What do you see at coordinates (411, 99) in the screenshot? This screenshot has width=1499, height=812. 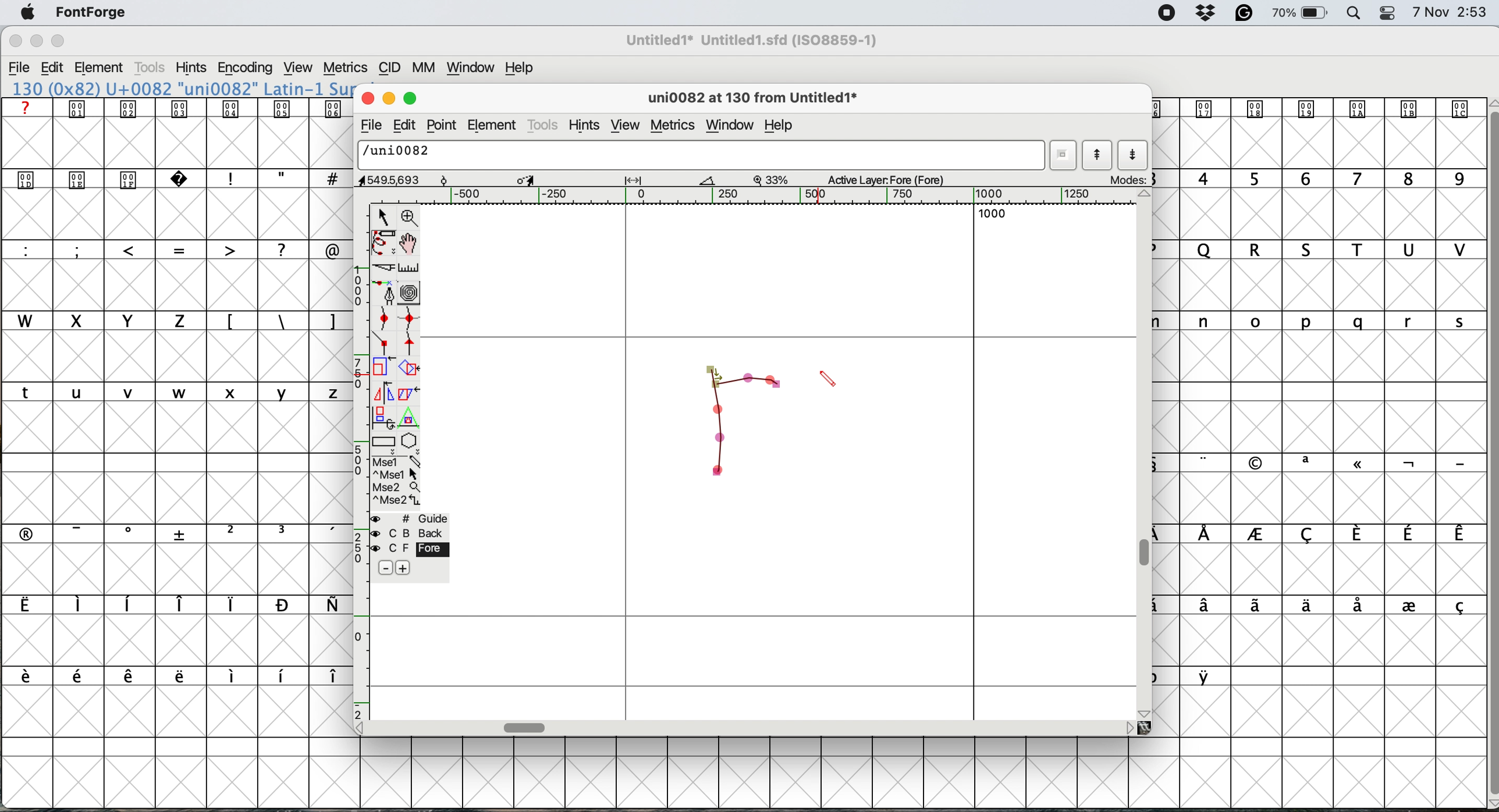 I see `maximise` at bounding box center [411, 99].